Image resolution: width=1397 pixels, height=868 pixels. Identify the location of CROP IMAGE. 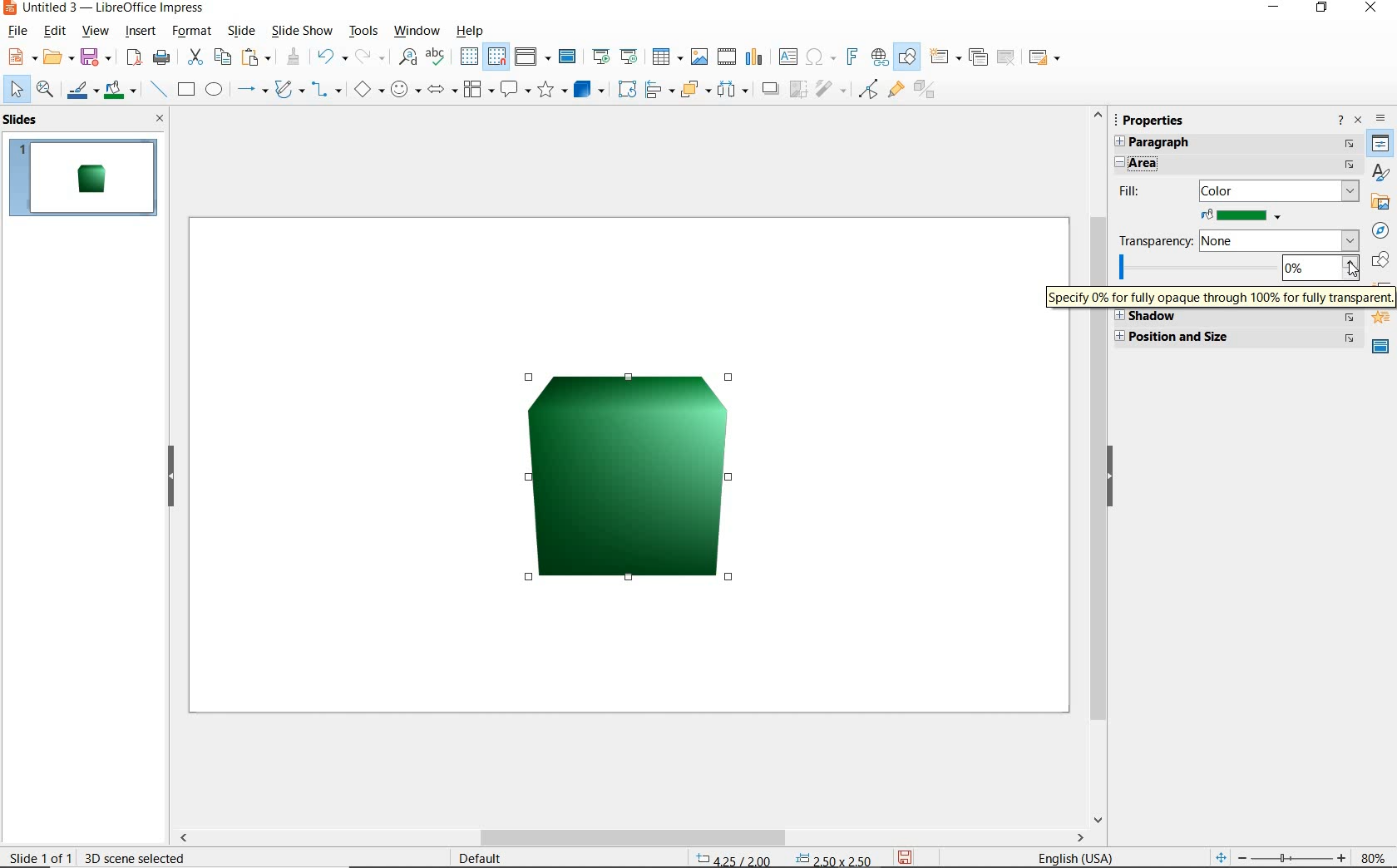
(798, 91).